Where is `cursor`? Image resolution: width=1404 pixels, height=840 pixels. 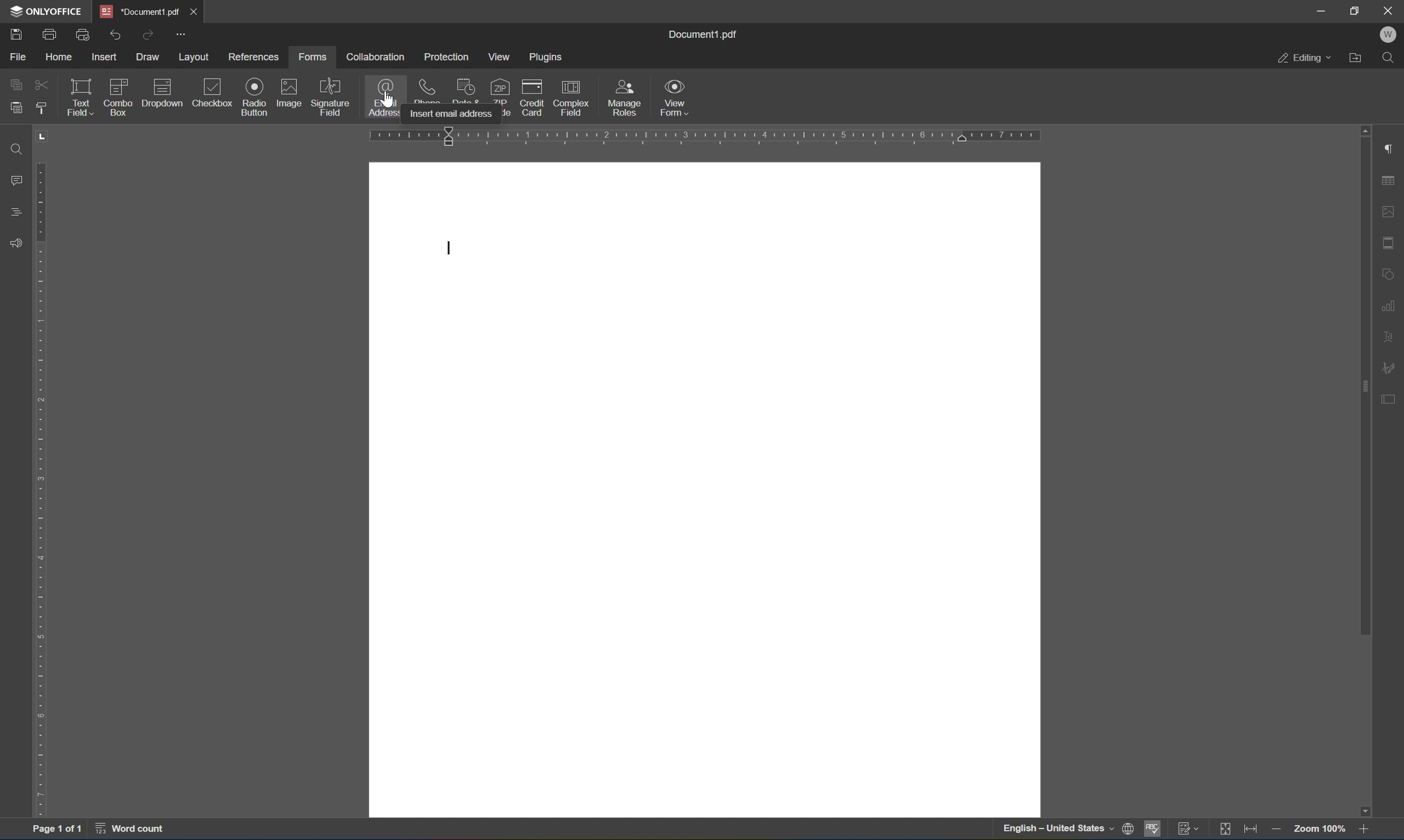
cursor is located at coordinates (451, 247).